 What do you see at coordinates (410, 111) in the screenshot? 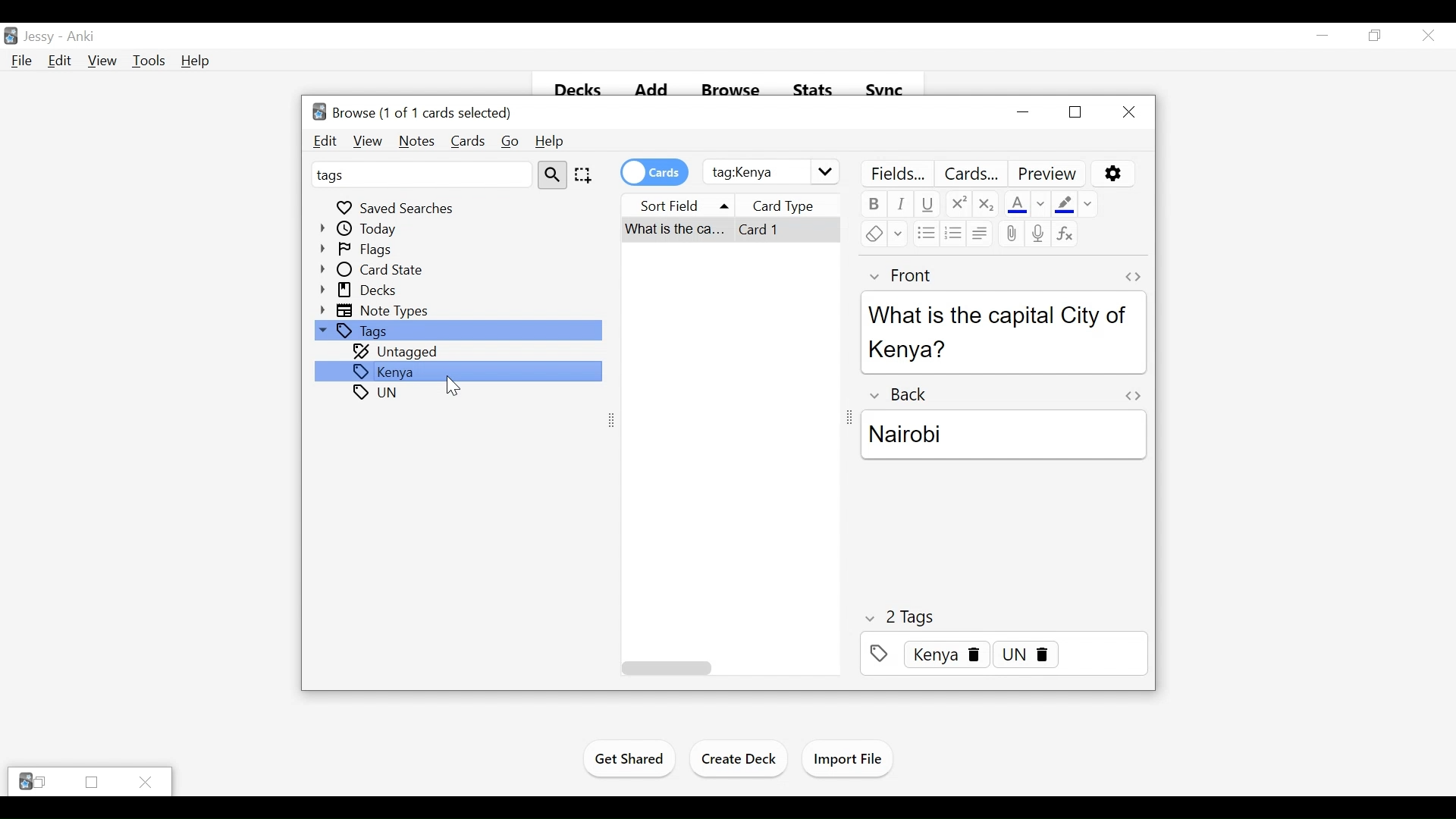
I see `Browse (0 of 0 cards selected)` at bounding box center [410, 111].